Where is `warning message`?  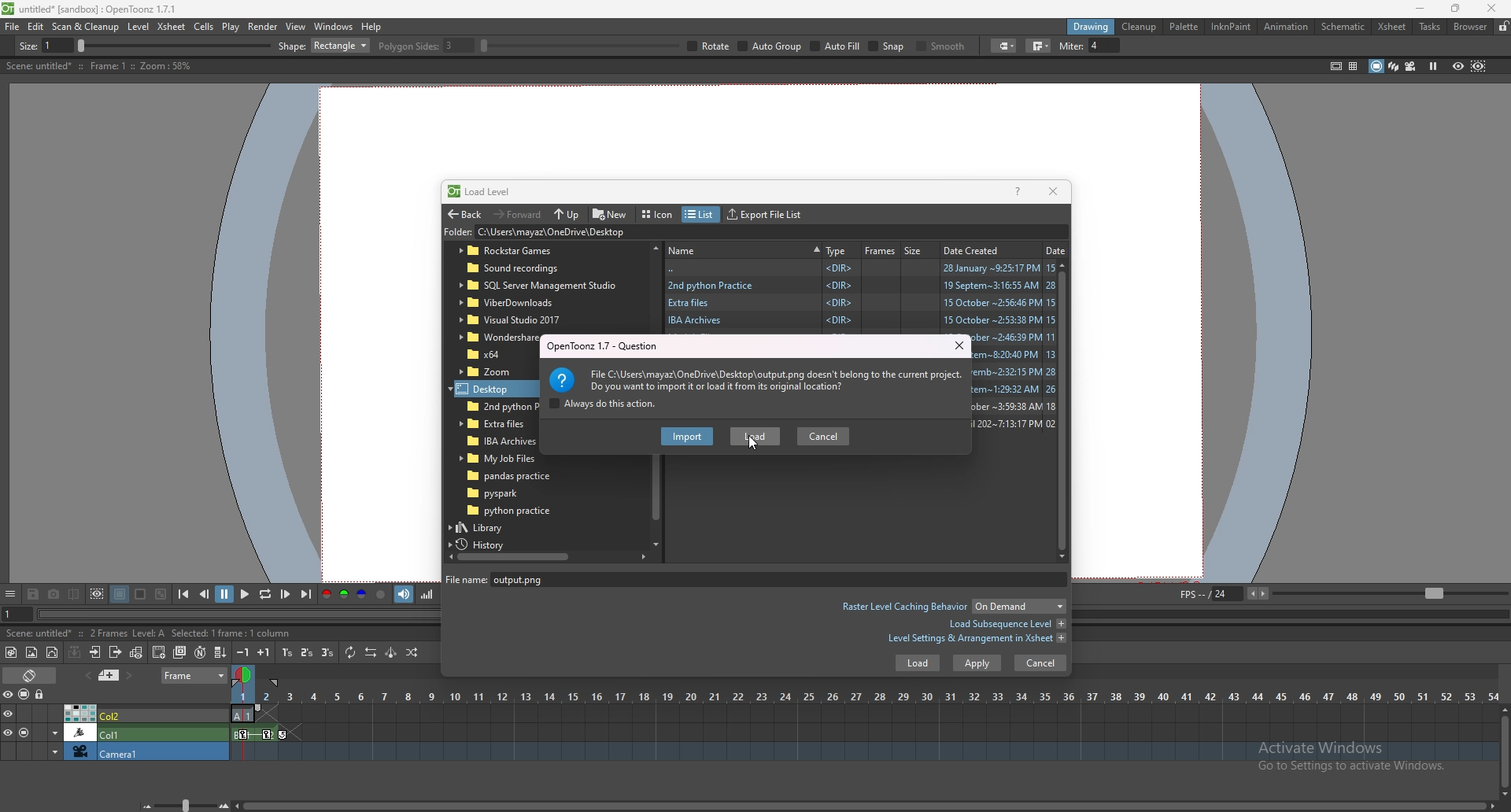 warning message is located at coordinates (757, 378).